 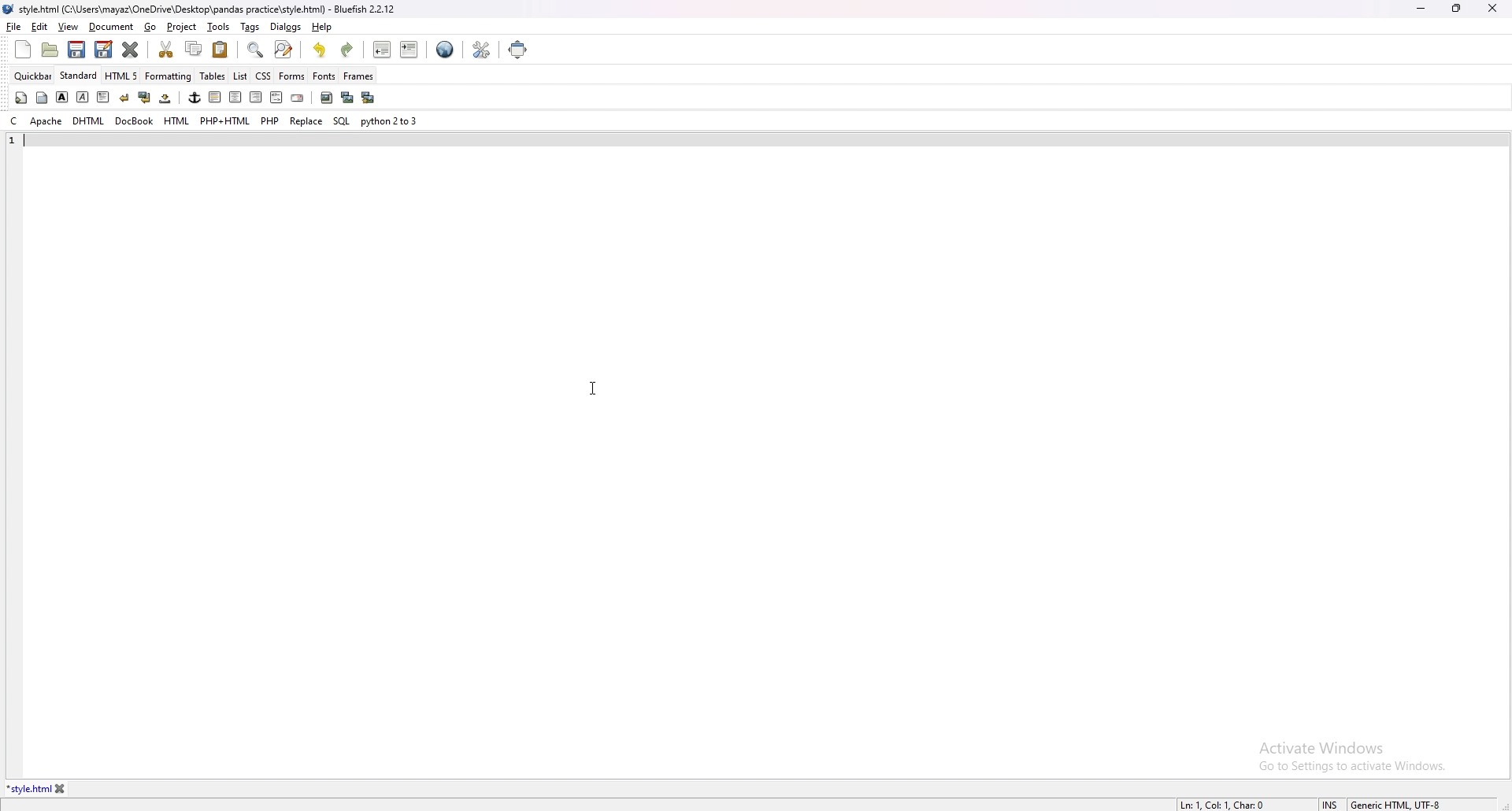 I want to click on non breaking space, so click(x=166, y=98).